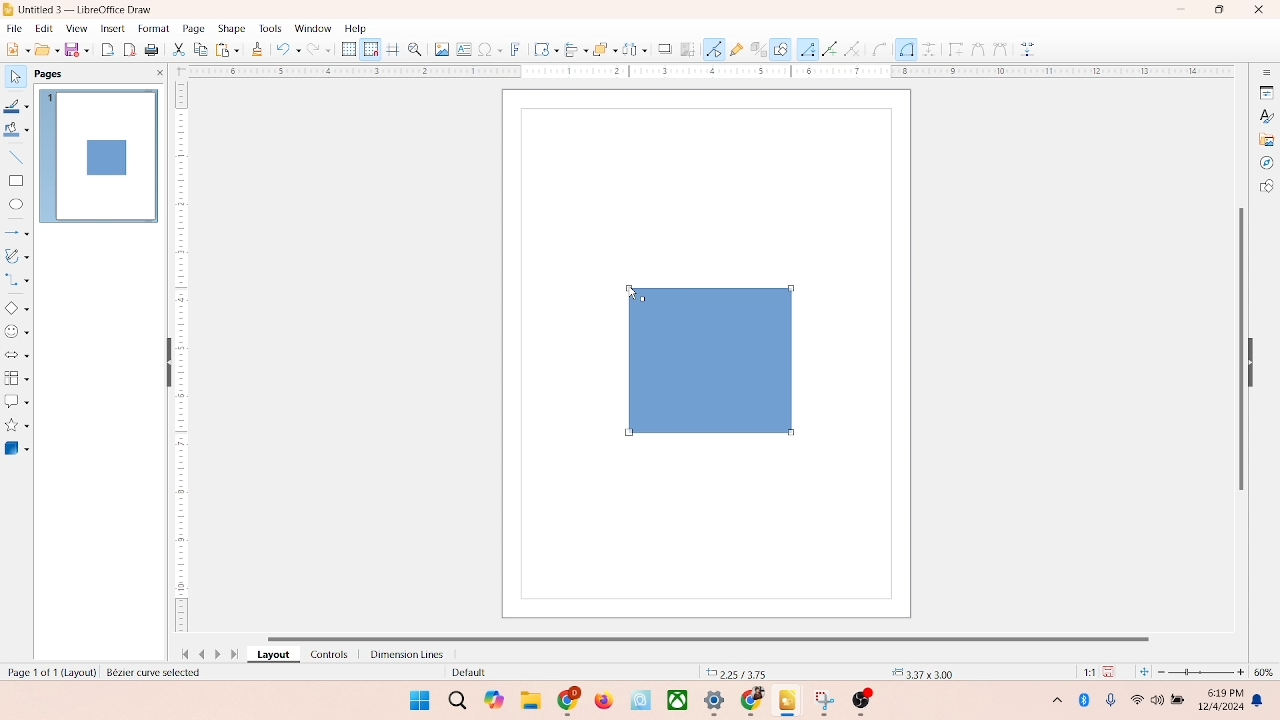 The width and height of the screenshot is (1280, 720). I want to click on save, so click(1112, 671).